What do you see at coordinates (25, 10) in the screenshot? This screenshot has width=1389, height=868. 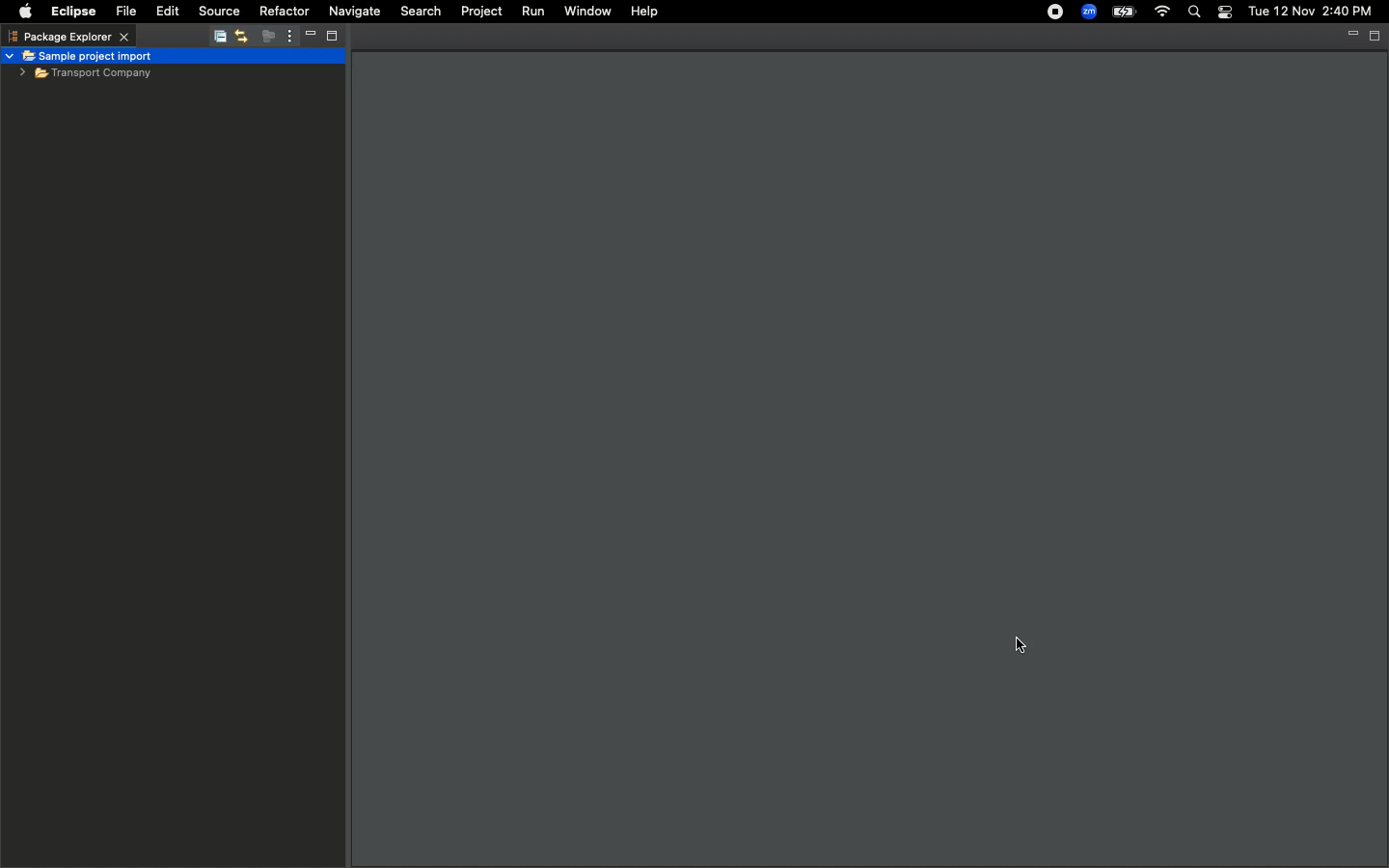 I see `Apple logo` at bounding box center [25, 10].